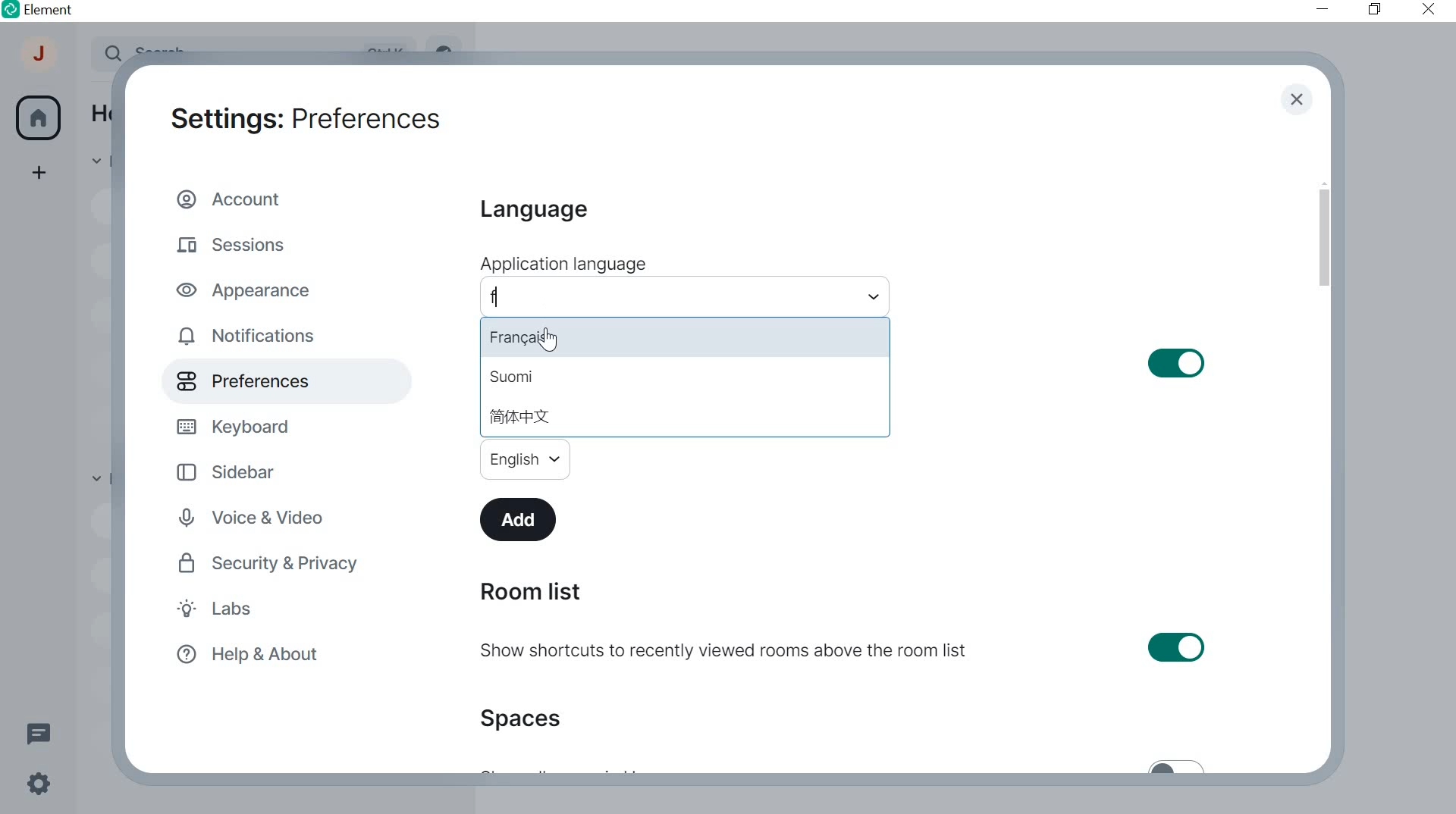 Image resolution: width=1456 pixels, height=814 pixels. I want to click on FRENCH, so click(535, 337).